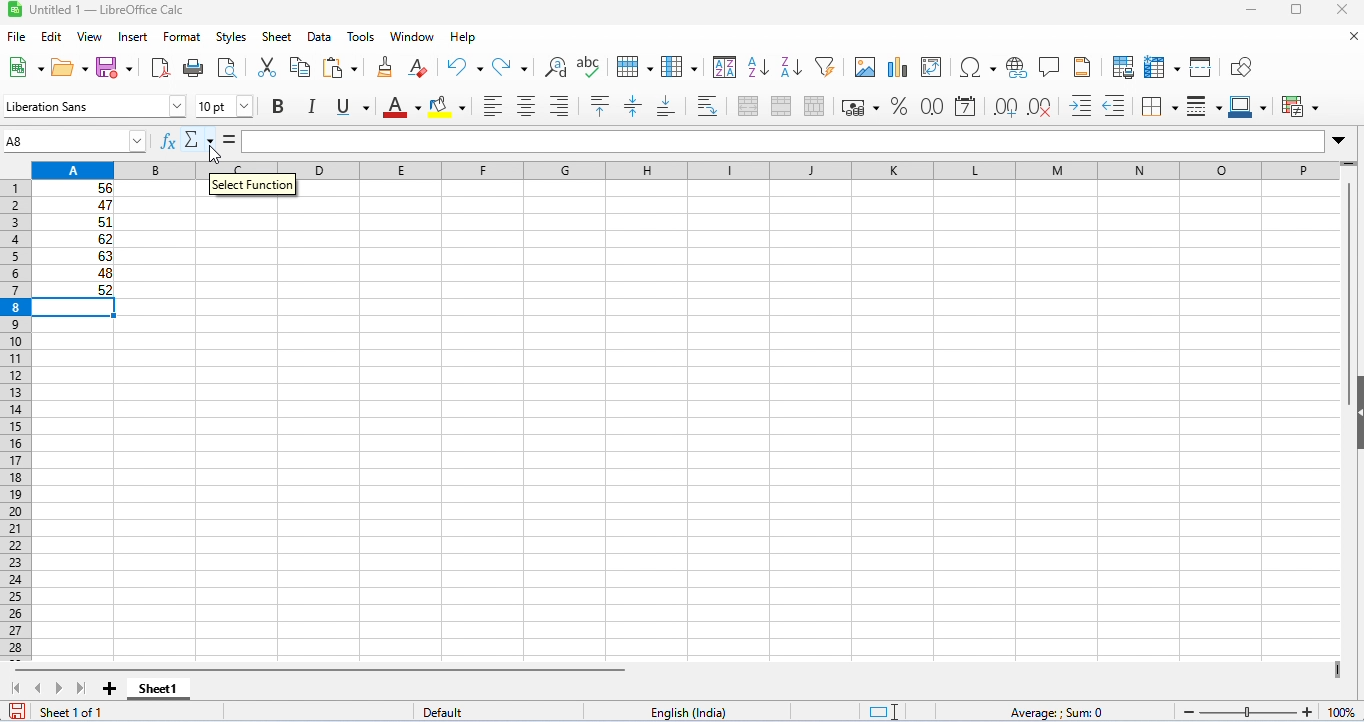 Image resolution: width=1364 pixels, height=722 pixels. Describe the element at coordinates (81, 688) in the screenshot. I see `last sheet` at that location.